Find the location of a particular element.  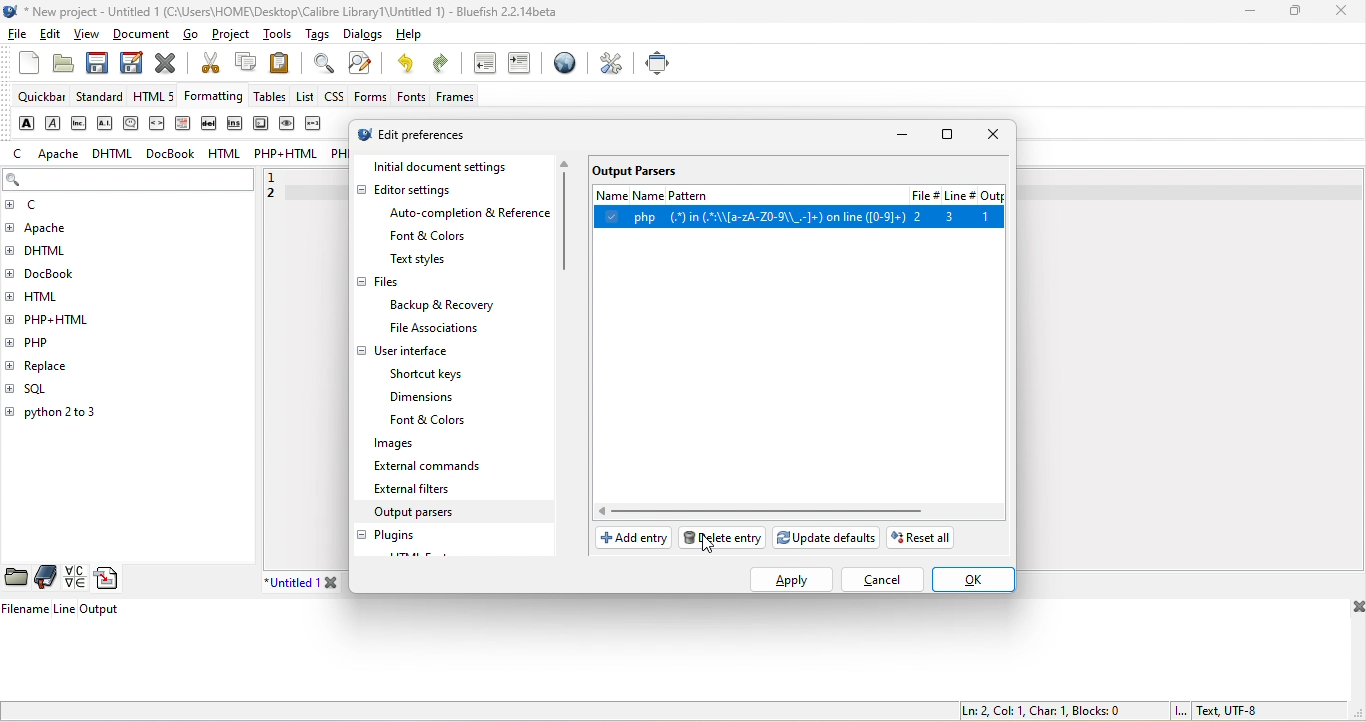

apache is located at coordinates (57, 154).